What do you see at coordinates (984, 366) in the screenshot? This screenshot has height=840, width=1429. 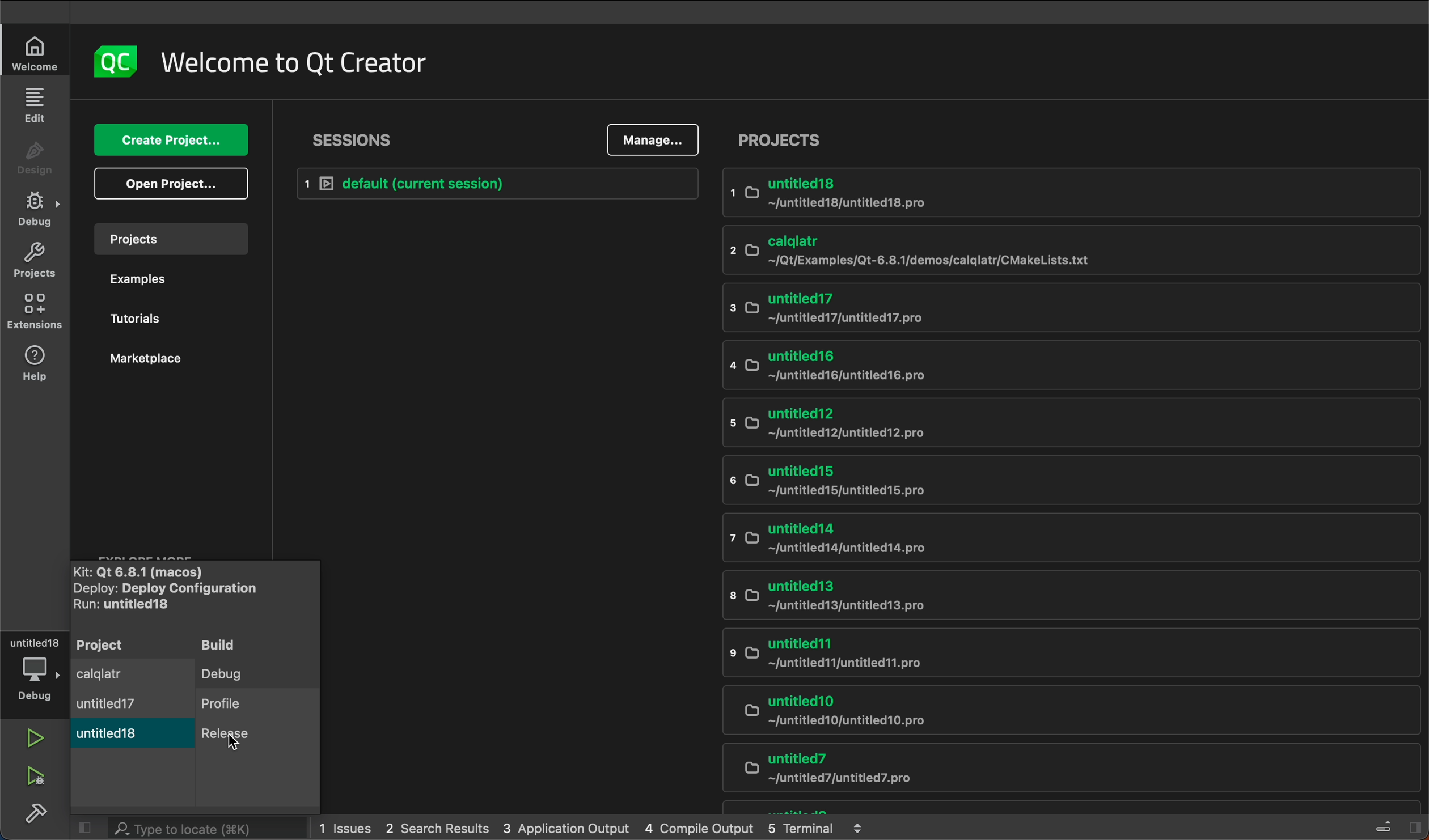 I see `untitled 16` at bounding box center [984, 366].